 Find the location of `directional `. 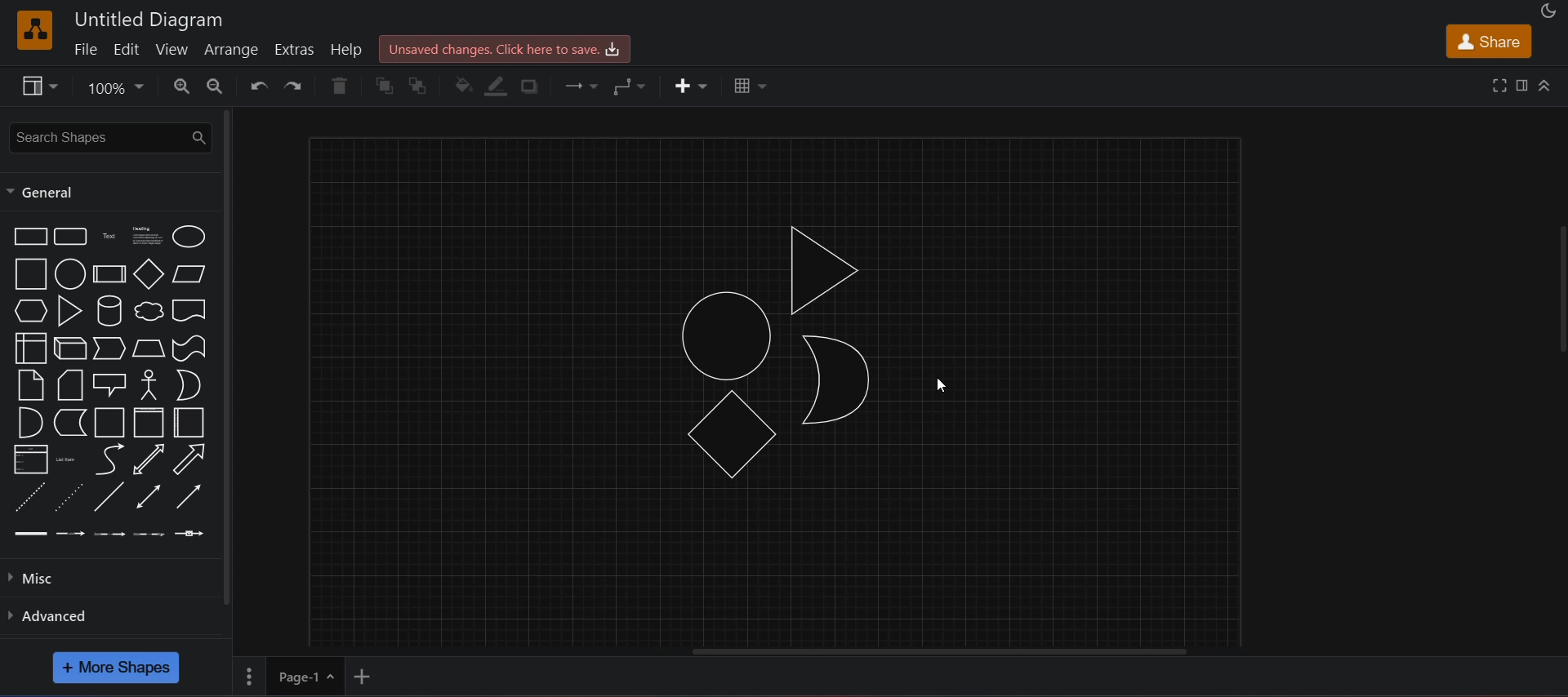

directional  is located at coordinates (187, 498).